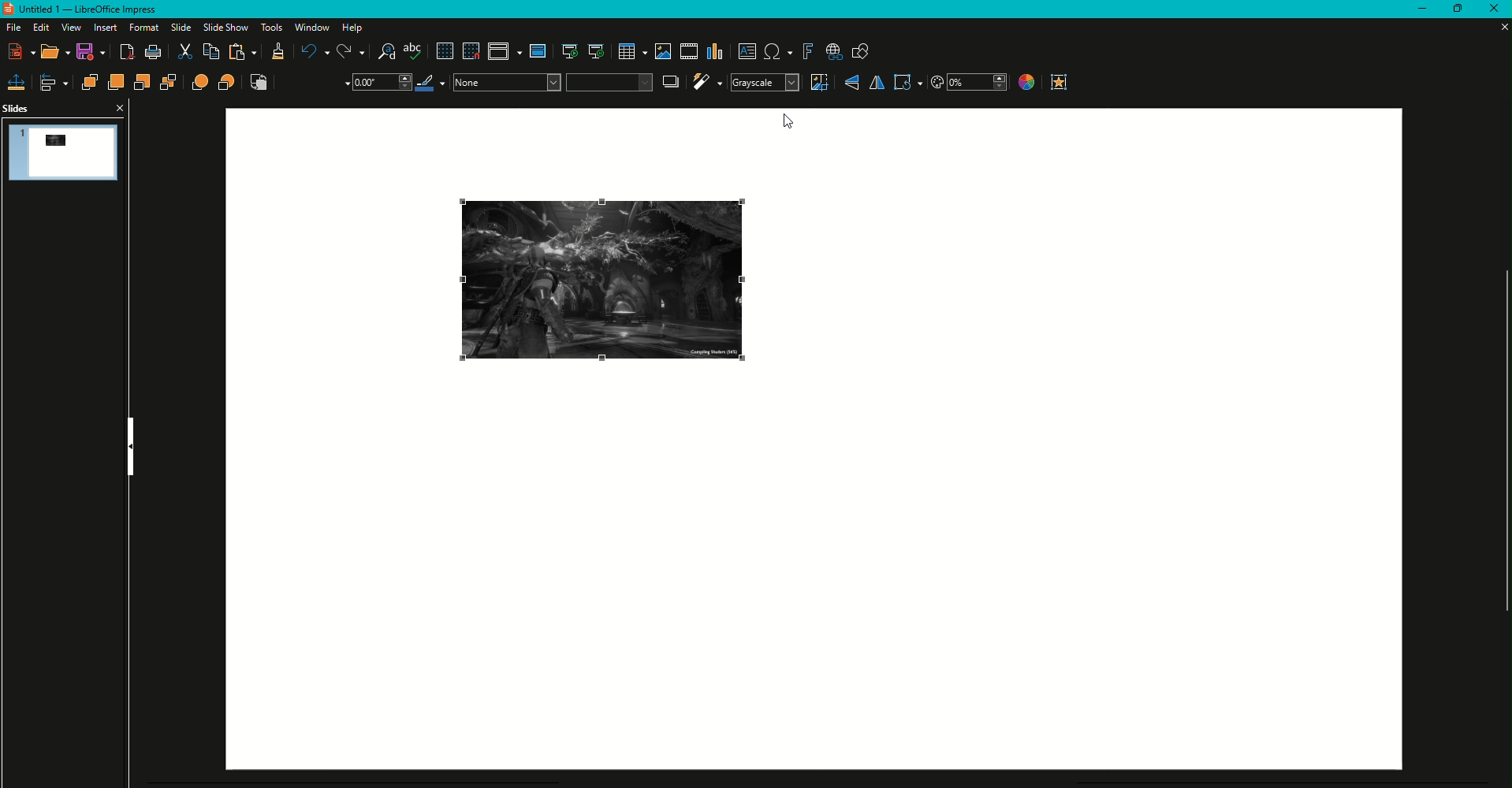 The image size is (1512, 788). I want to click on Master Slide, so click(538, 51).